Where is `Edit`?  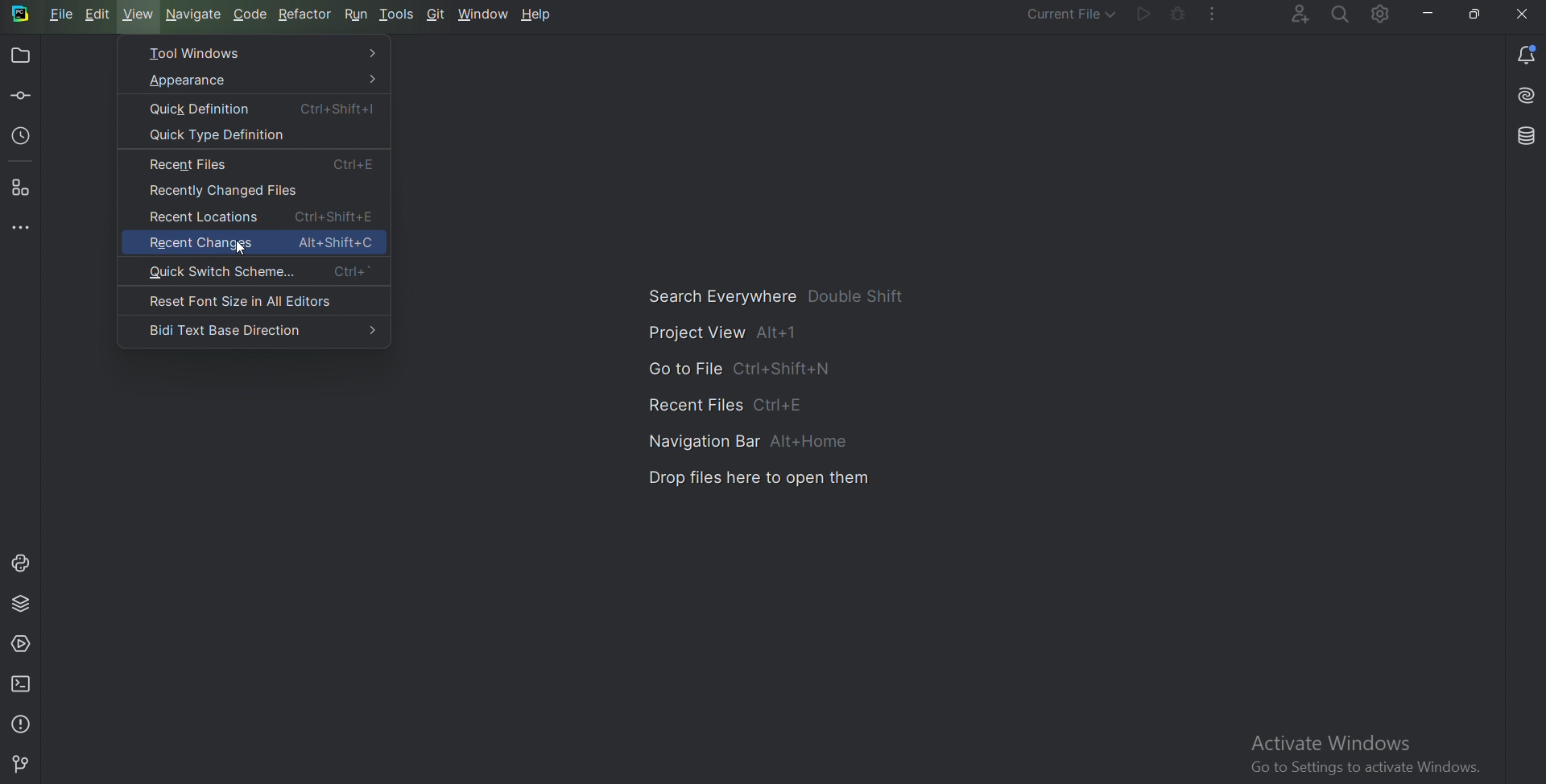 Edit is located at coordinates (97, 14).